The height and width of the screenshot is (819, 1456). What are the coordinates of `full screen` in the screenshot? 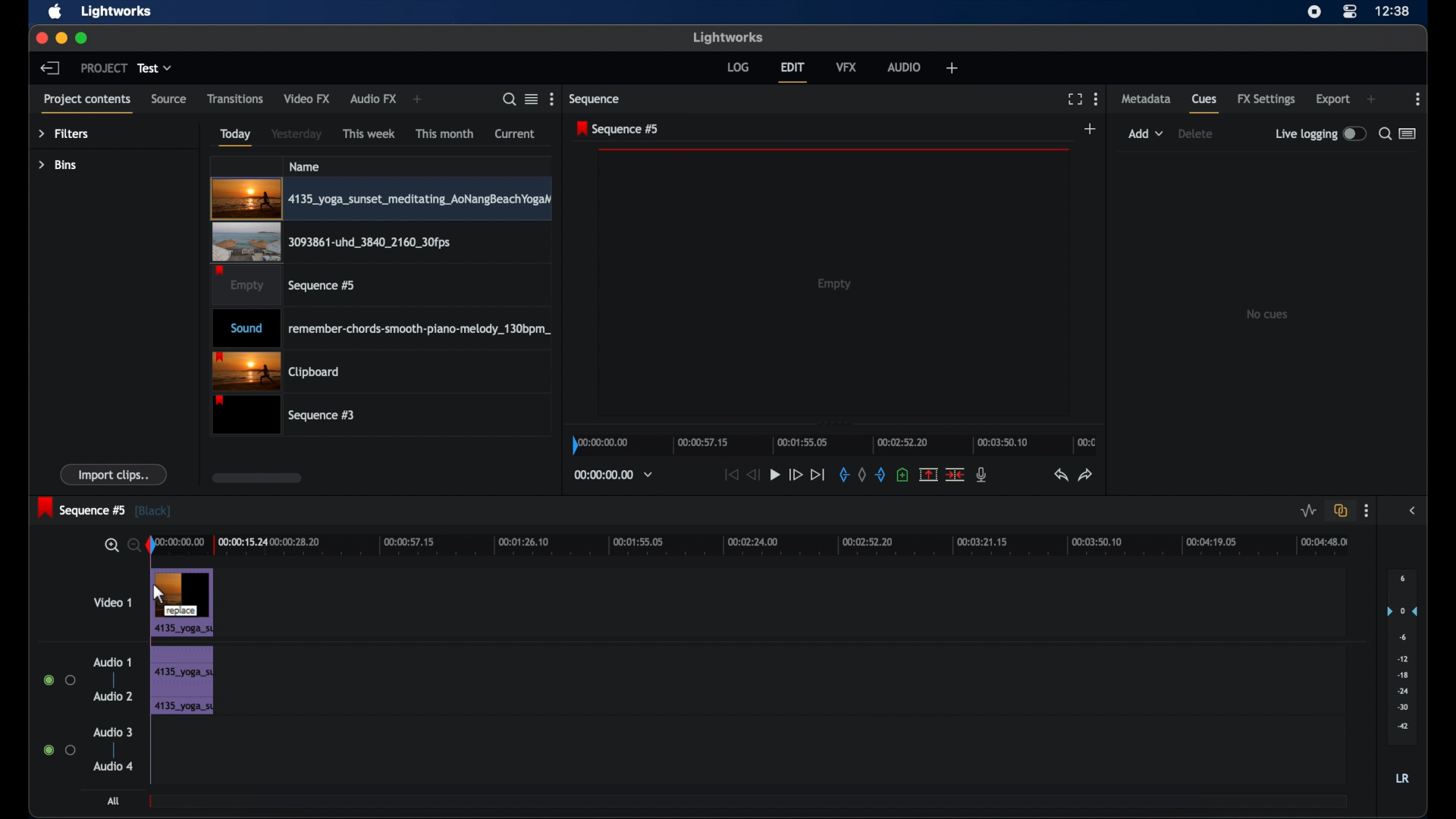 It's located at (1075, 98).